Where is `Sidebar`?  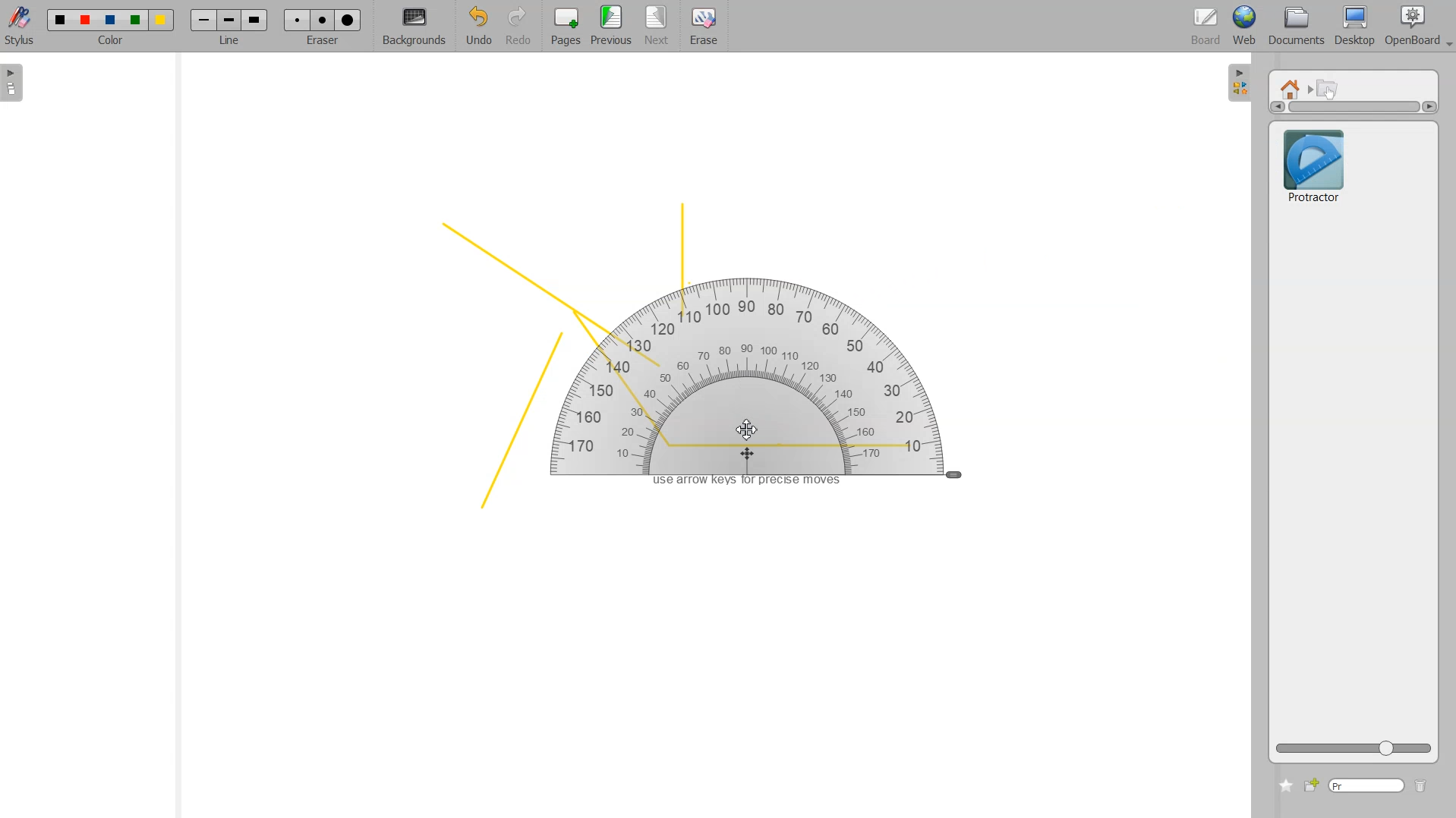 Sidebar is located at coordinates (1240, 81).